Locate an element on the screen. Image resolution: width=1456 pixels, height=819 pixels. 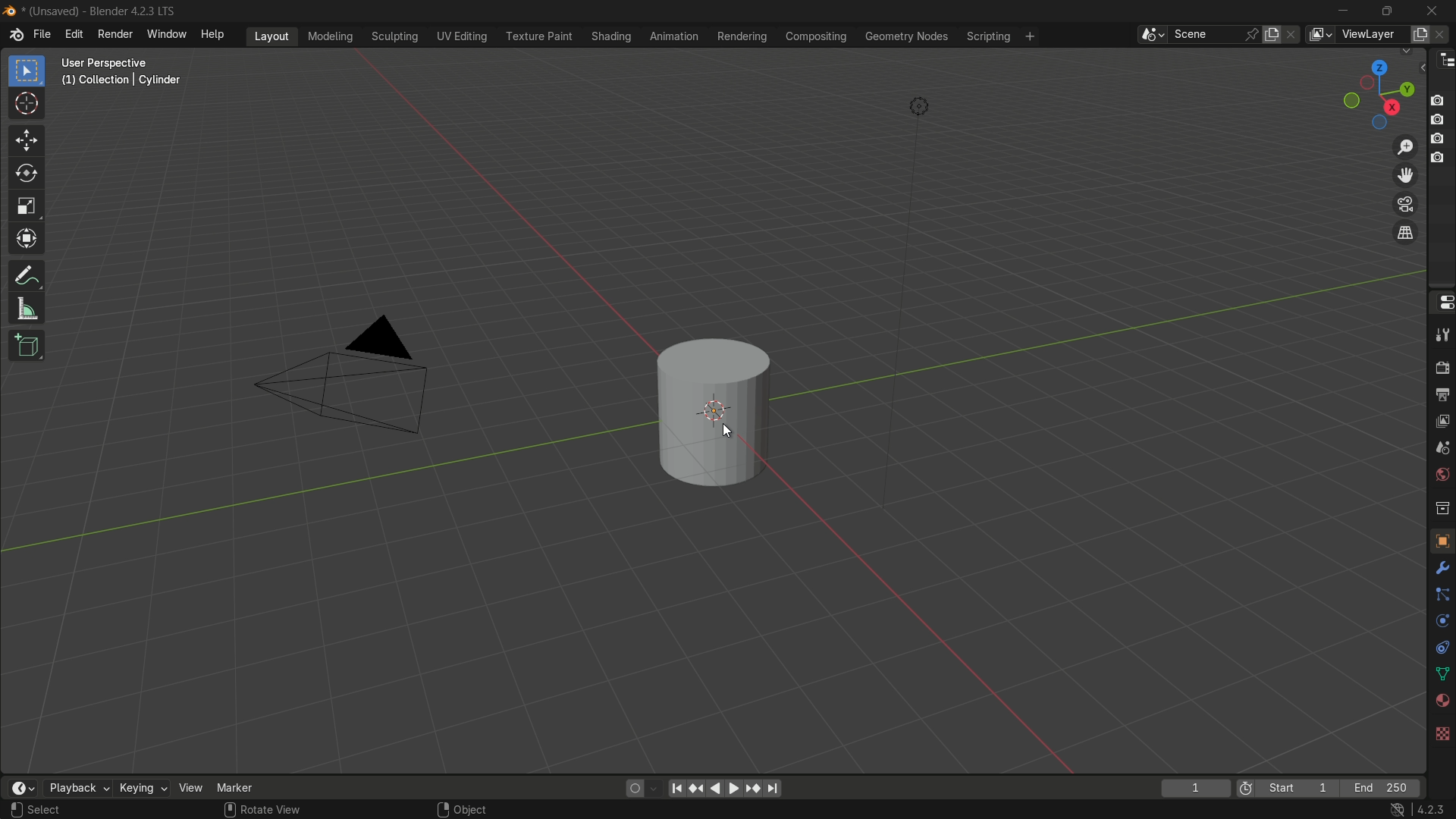
marker is located at coordinates (234, 789).